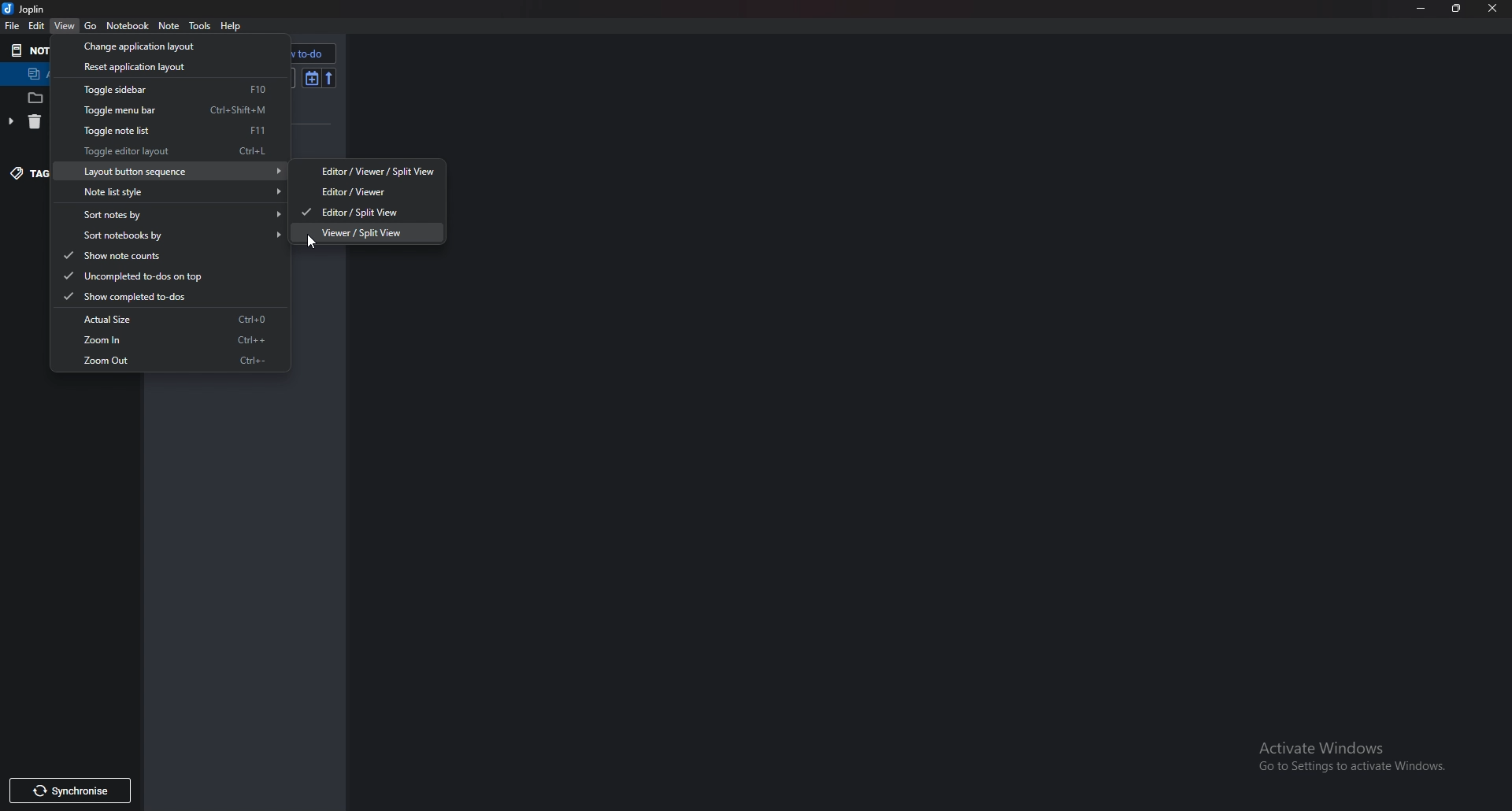 The width and height of the screenshot is (1512, 811). What do you see at coordinates (27, 9) in the screenshot?
I see `joplin` at bounding box center [27, 9].